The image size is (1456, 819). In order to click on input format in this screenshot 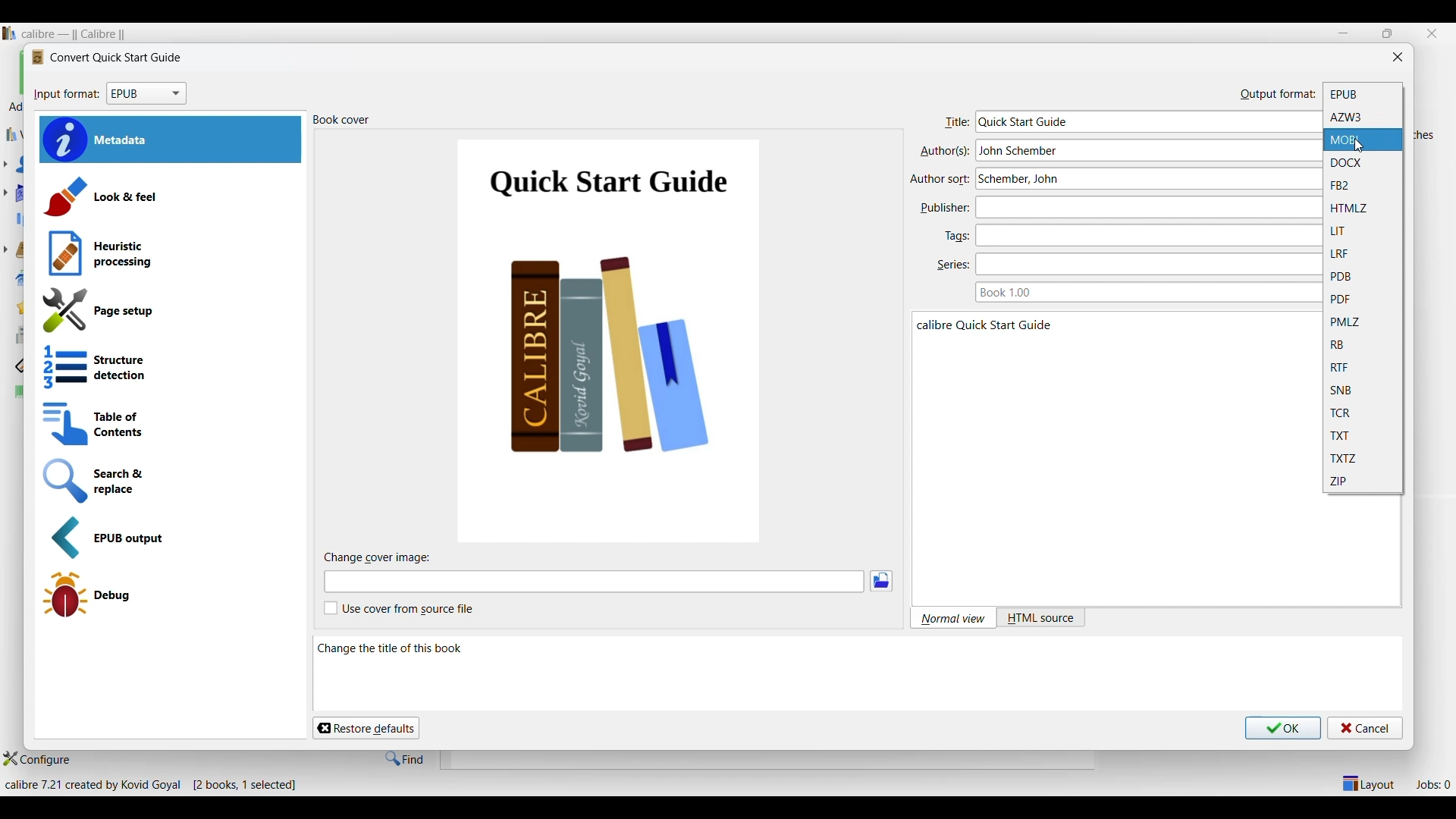, I will do `click(66, 96)`.